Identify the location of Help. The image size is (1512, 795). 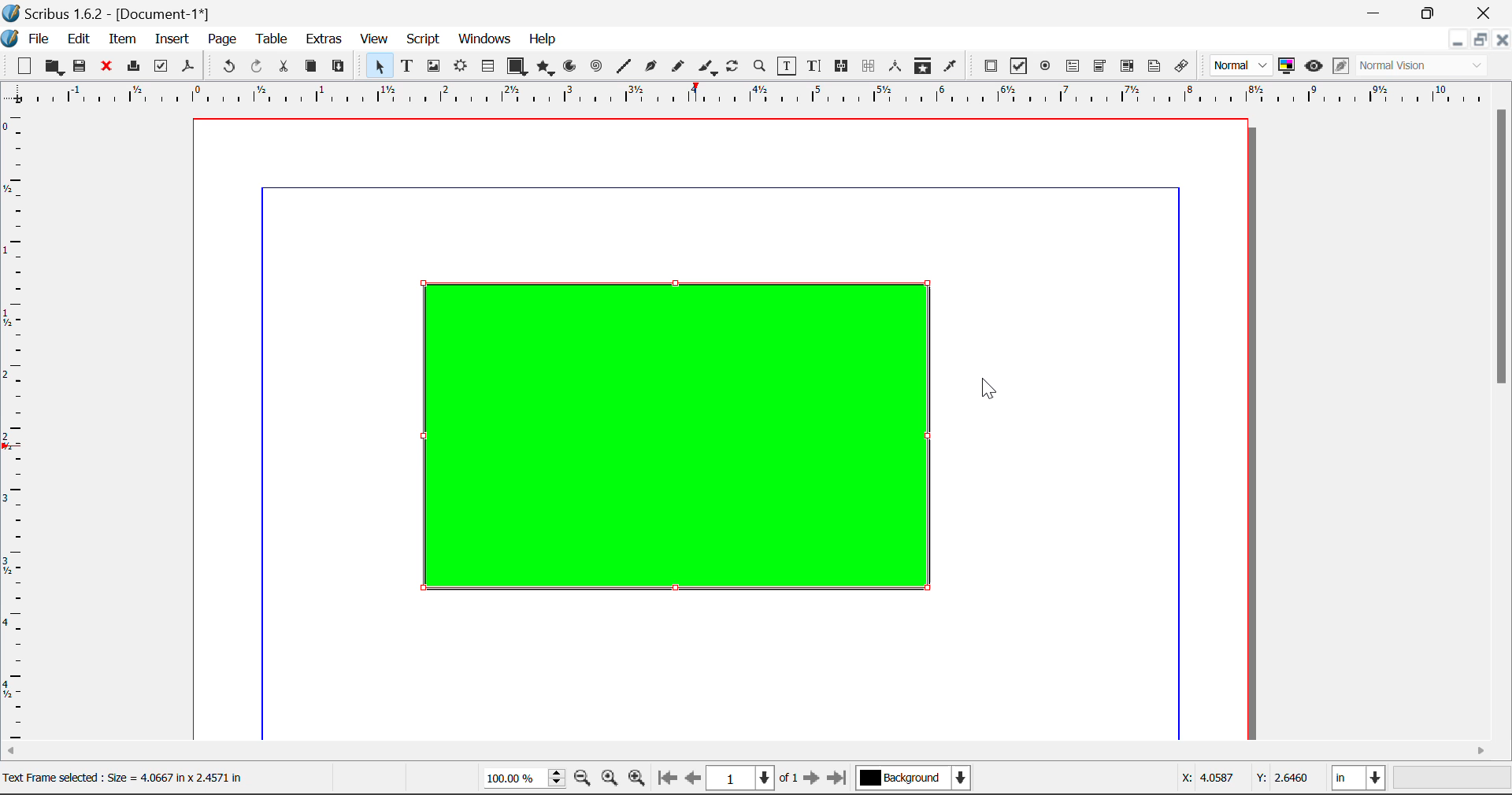
(543, 39).